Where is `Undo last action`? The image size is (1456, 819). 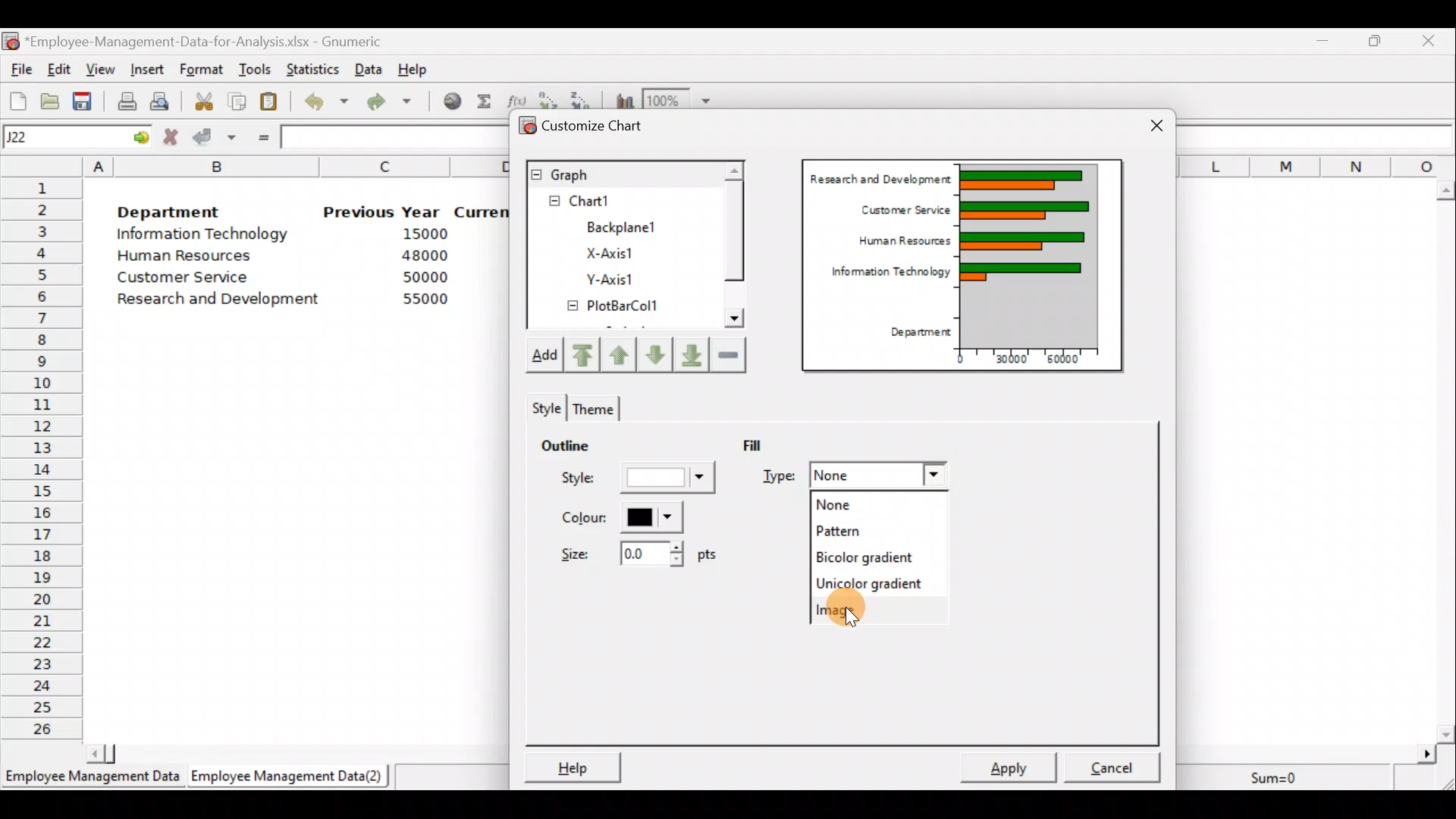
Undo last action is located at coordinates (328, 105).